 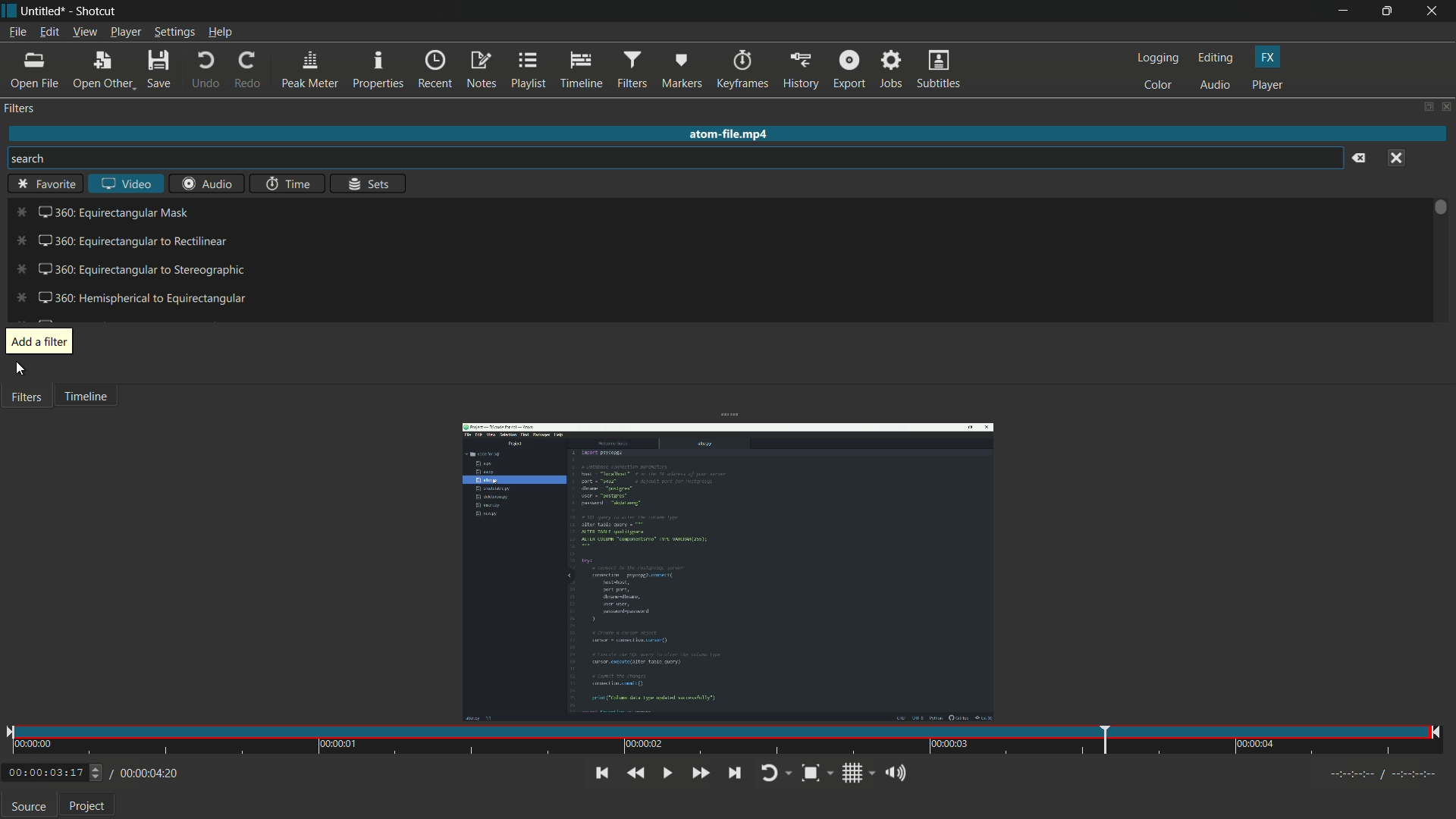 I want to click on source, so click(x=29, y=807).